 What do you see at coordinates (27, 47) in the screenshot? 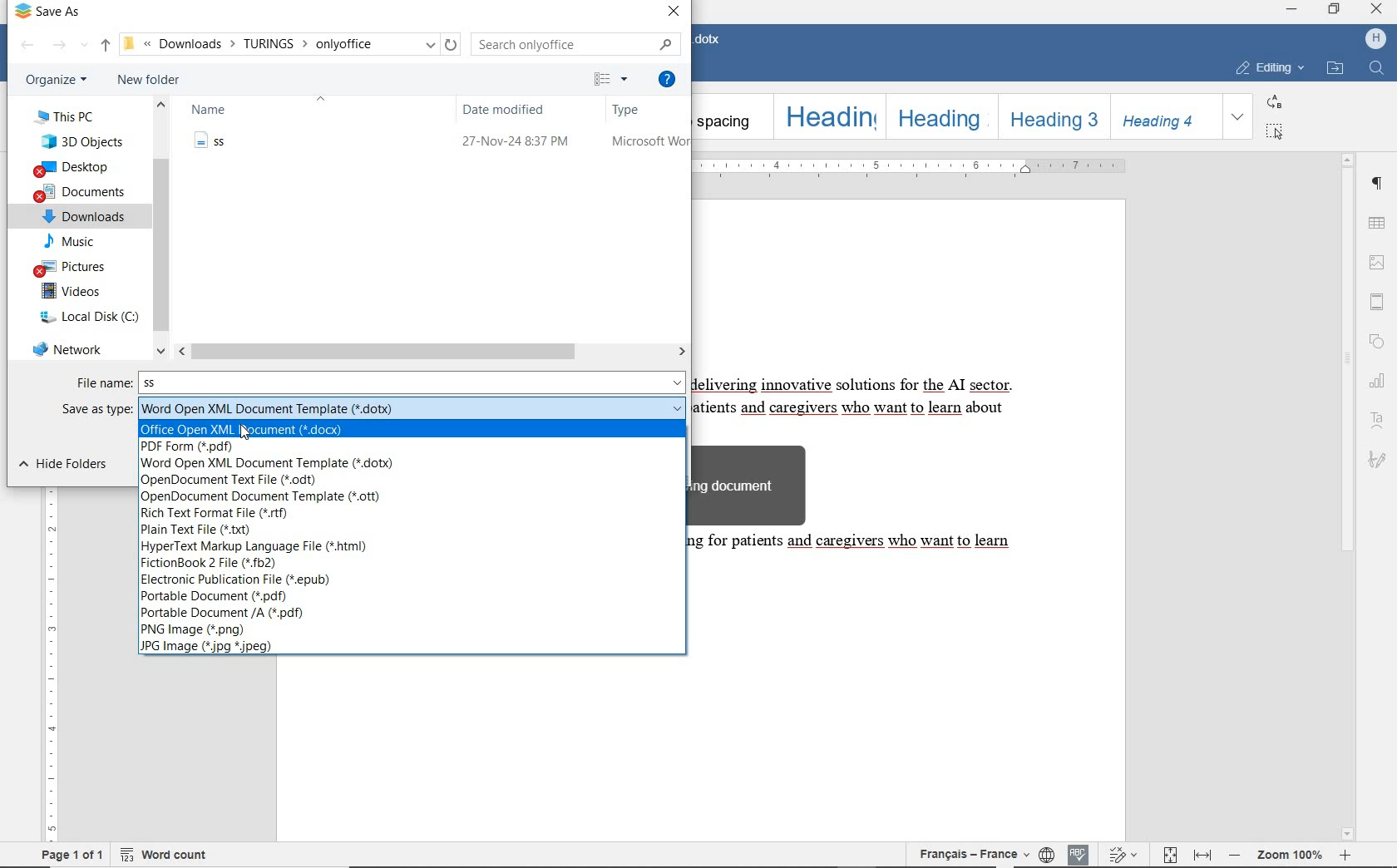
I see `BACK` at bounding box center [27, 47].